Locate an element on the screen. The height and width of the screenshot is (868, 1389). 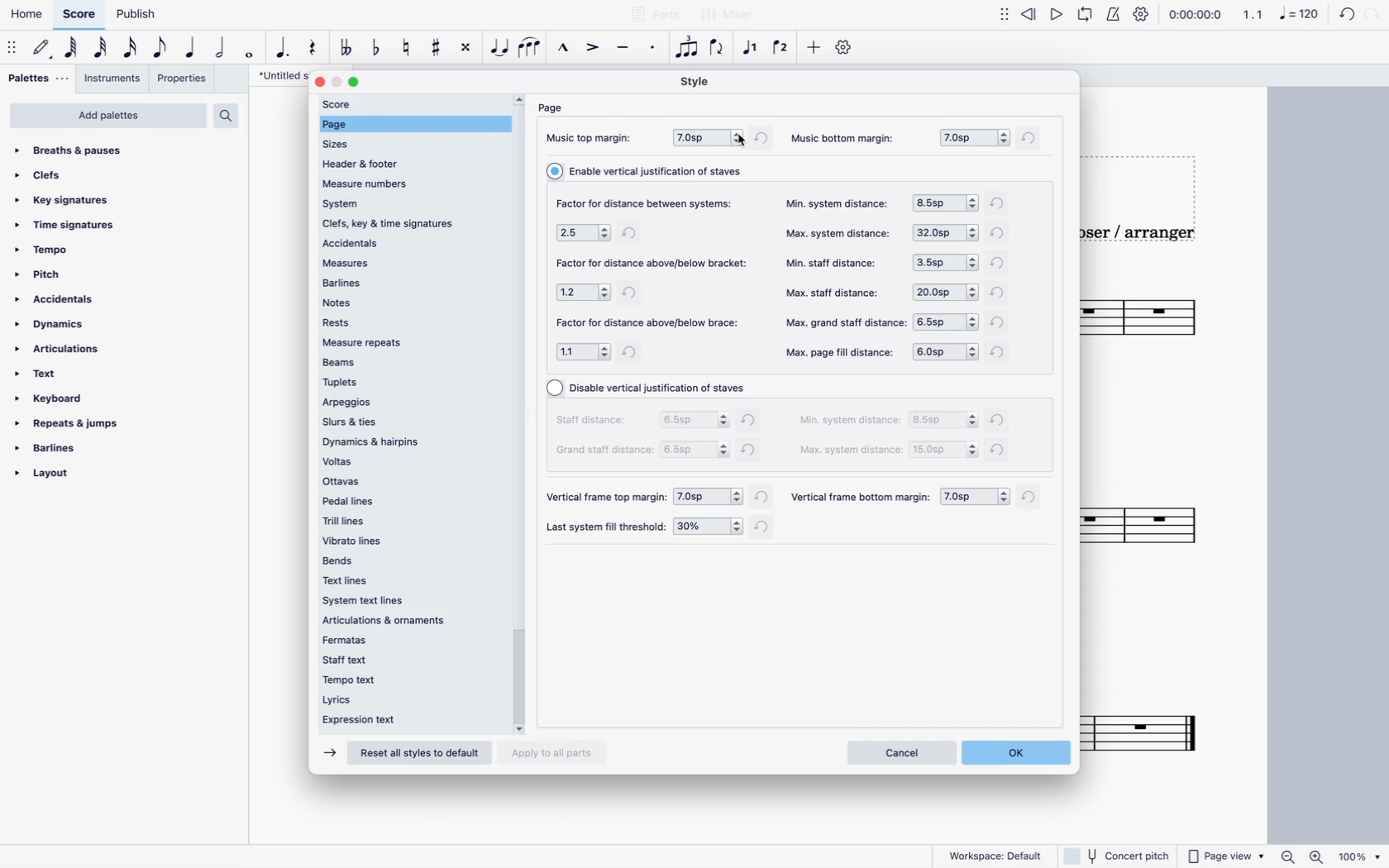
voltas is located at coordinates (411, 461).